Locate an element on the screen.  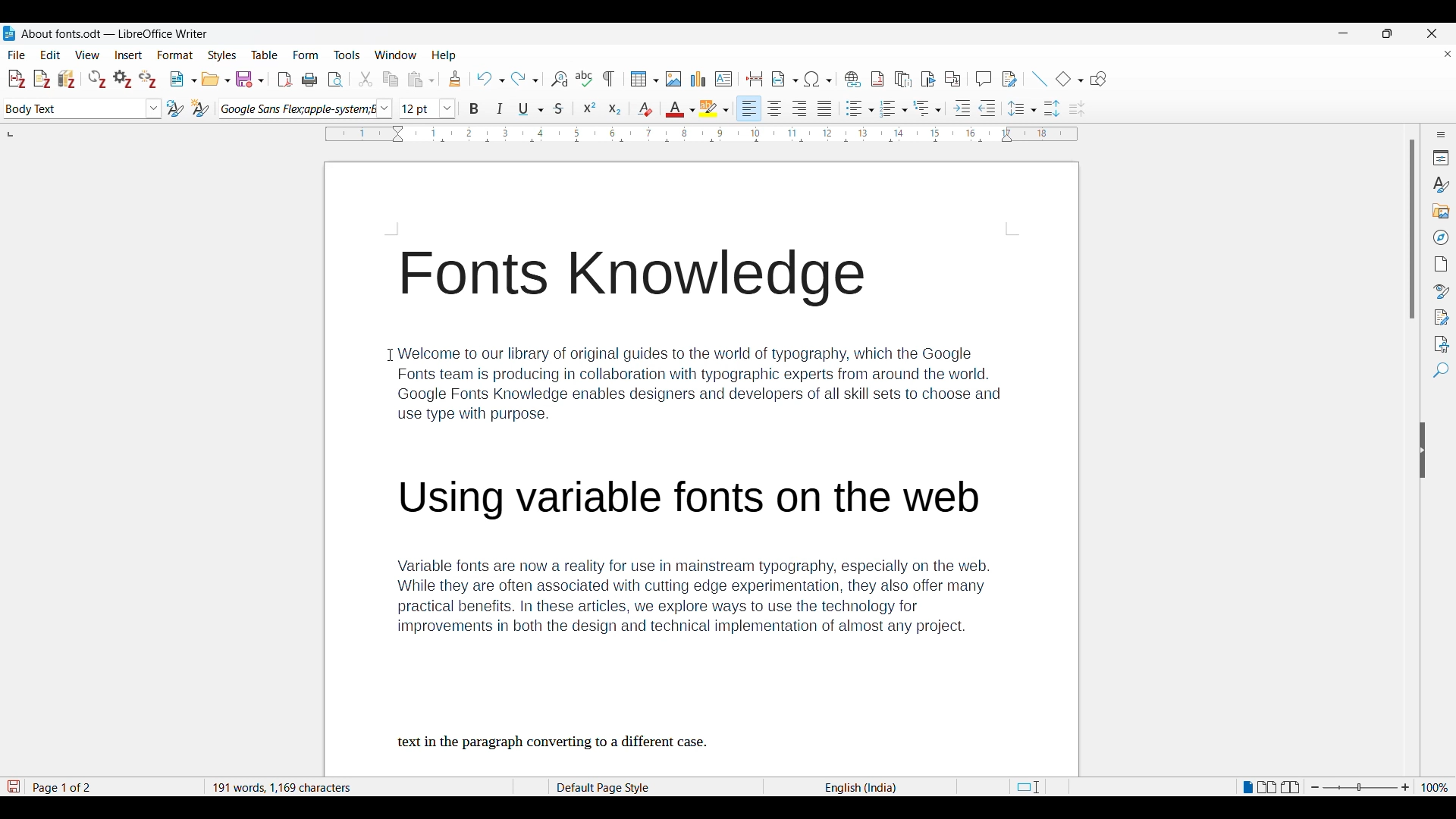
Insert footnote is located at coordinates (877, 79).